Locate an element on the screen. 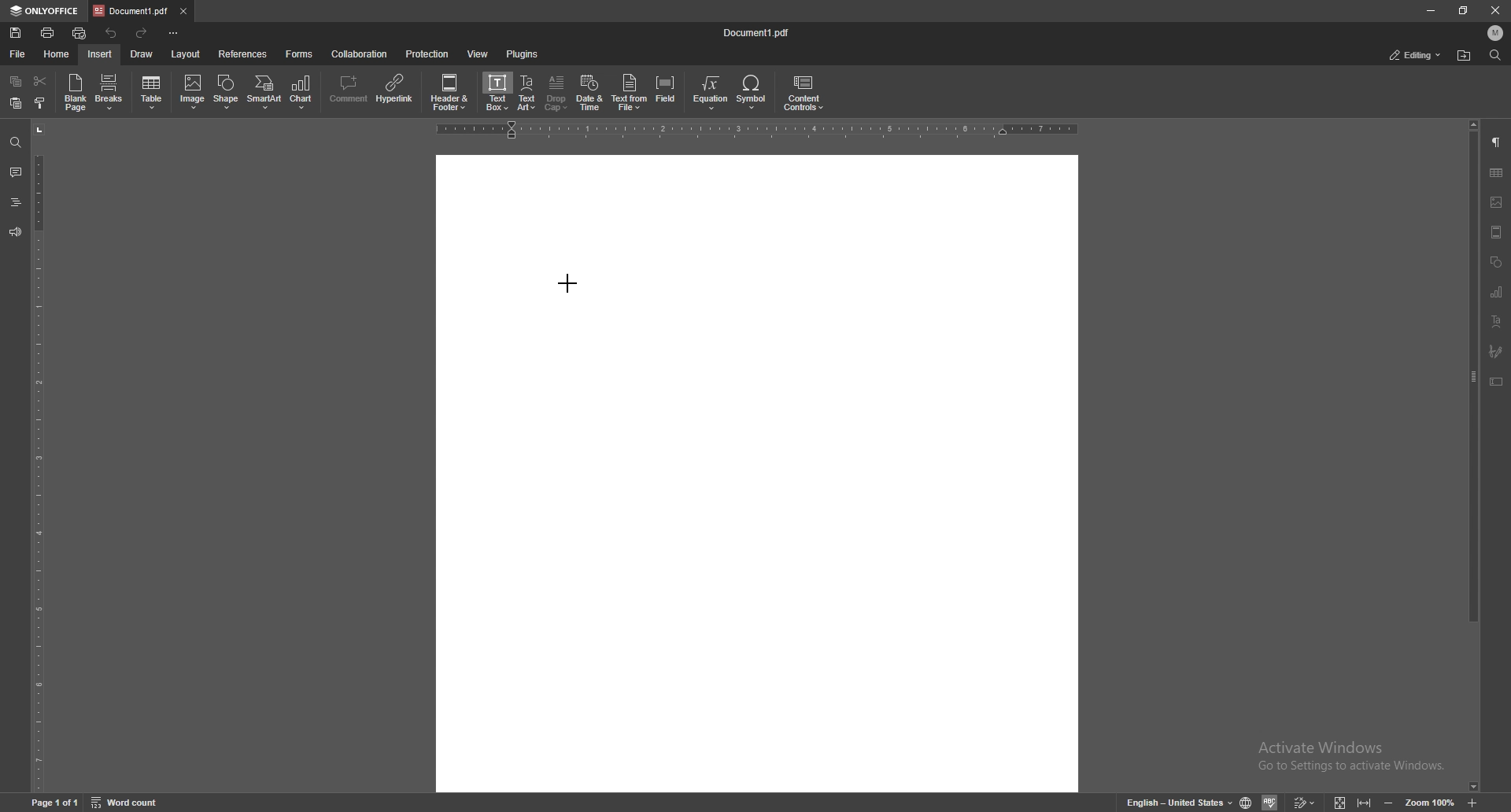  text box is located at coordinates (498, 91).